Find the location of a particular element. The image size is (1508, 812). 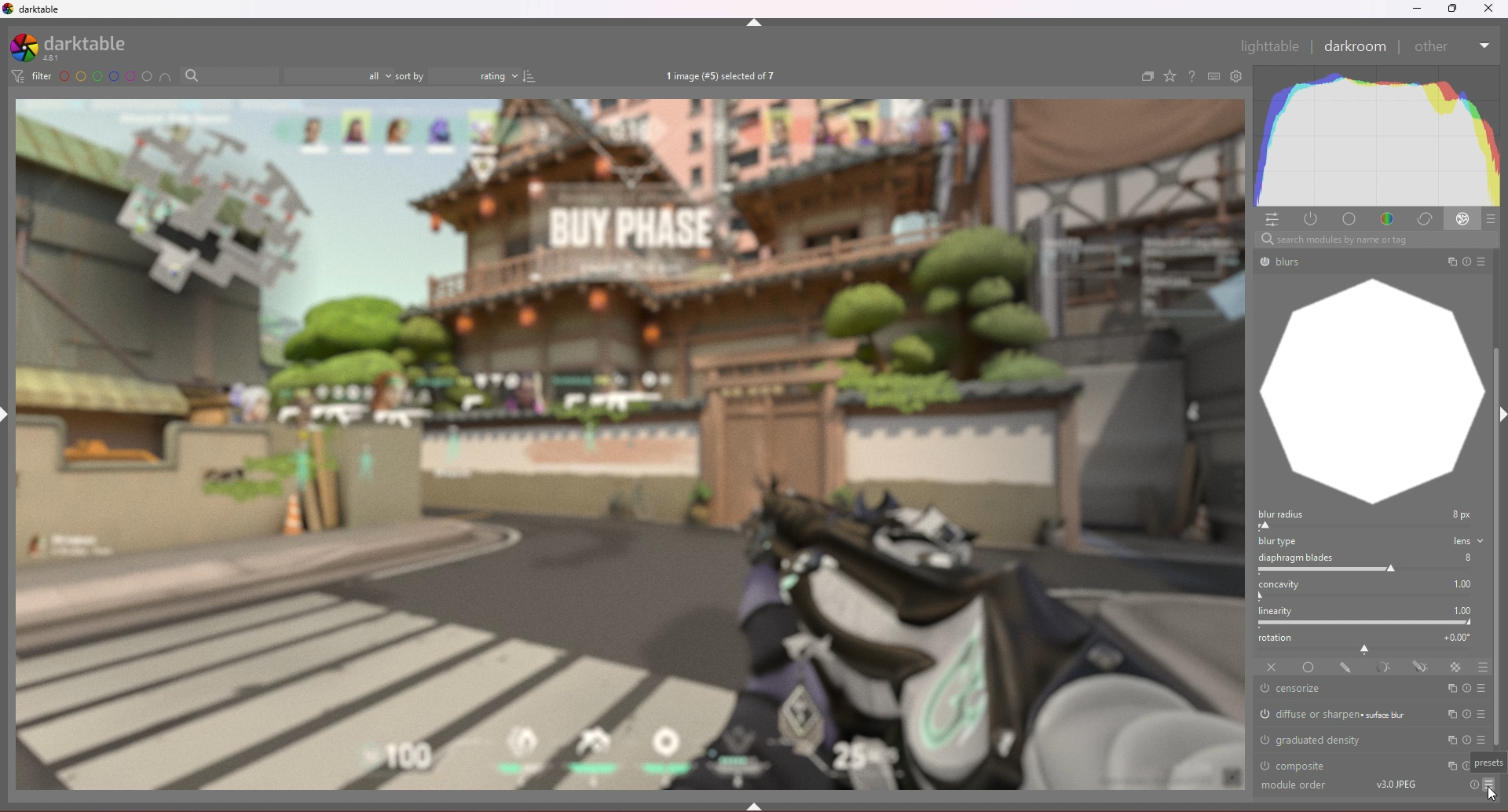

blur type is located at coordinates (1372, 541).